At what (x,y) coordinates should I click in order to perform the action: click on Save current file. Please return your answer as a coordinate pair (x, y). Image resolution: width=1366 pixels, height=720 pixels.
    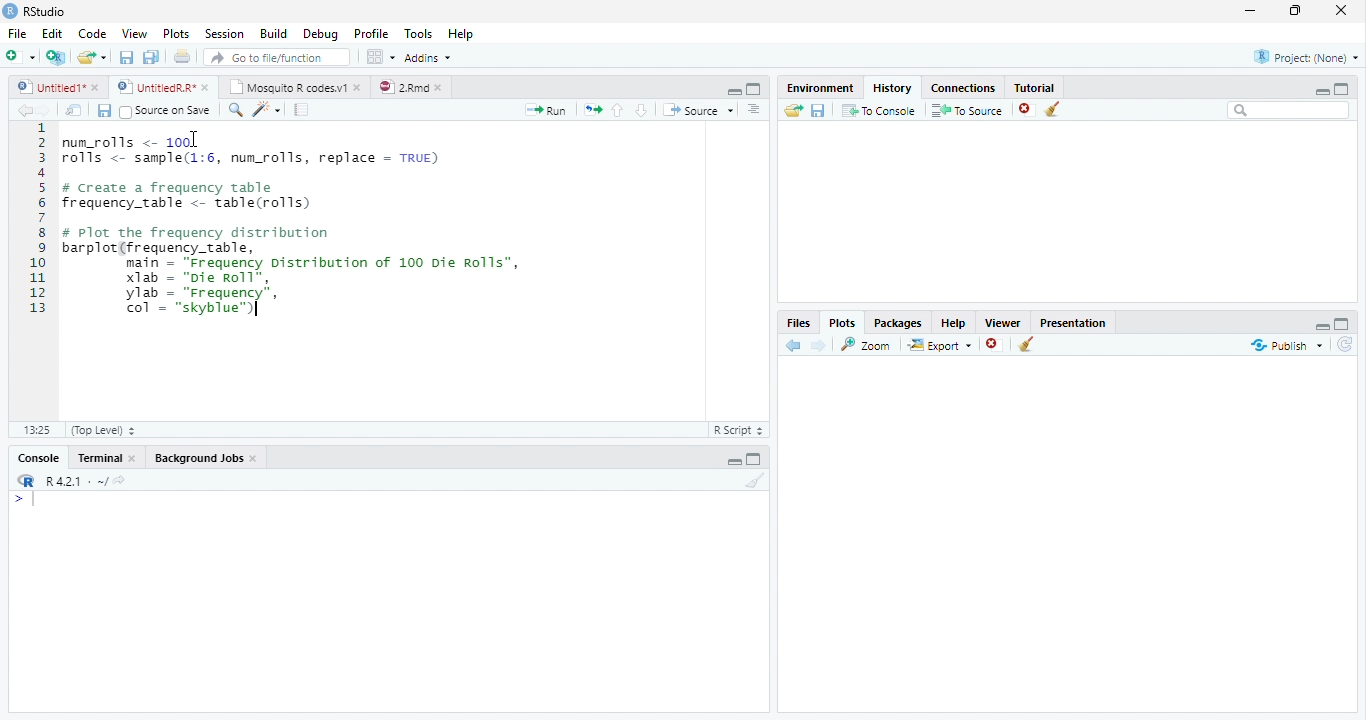
    Looking at the image, I should click on (126, 57).